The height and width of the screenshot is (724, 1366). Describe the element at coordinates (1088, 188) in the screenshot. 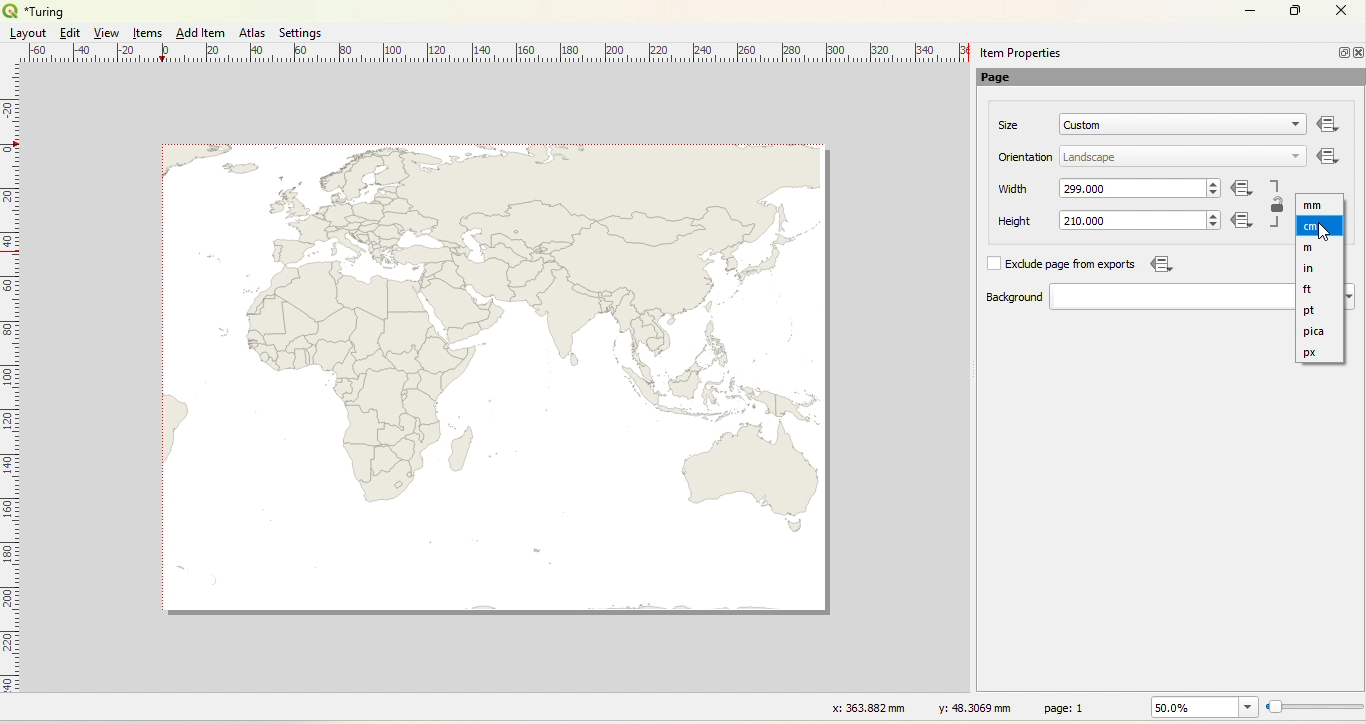

I see `width measurement` at that location.